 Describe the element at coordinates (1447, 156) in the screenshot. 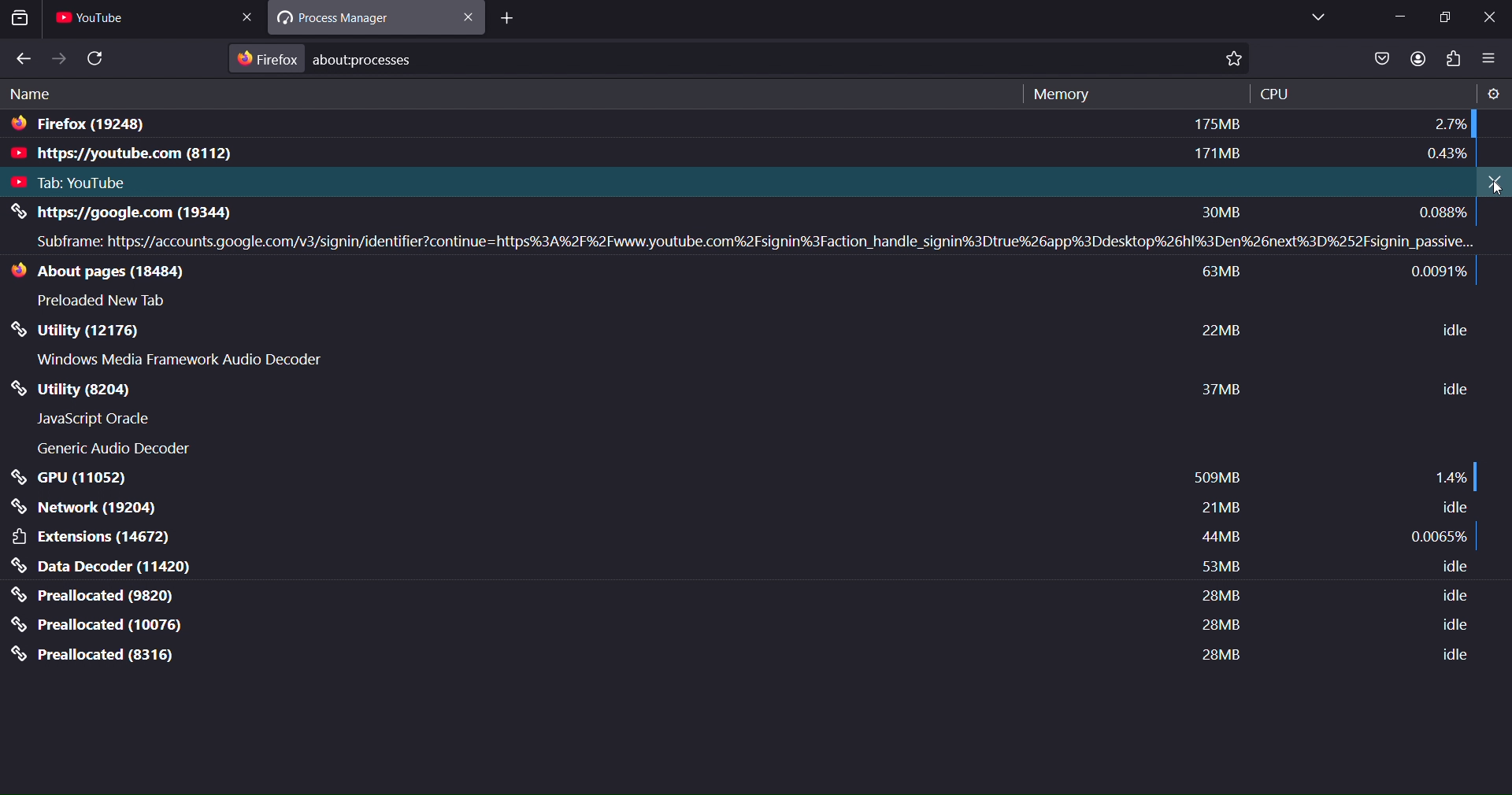

I see `0.43%` at that location.